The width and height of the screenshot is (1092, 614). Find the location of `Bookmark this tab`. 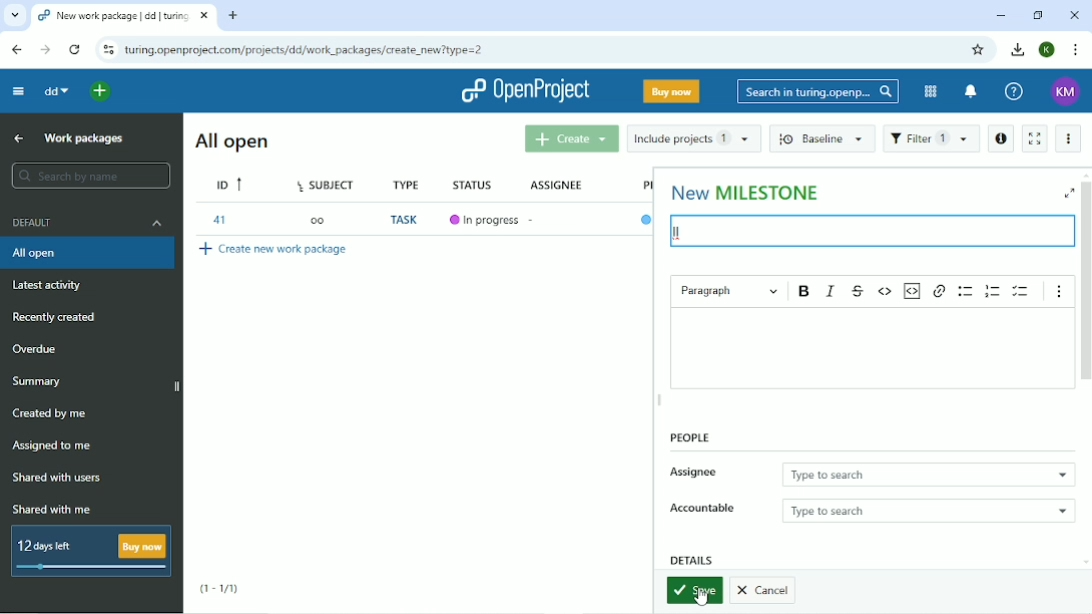

Bookmark this tab is located at coordinates (977, 50).